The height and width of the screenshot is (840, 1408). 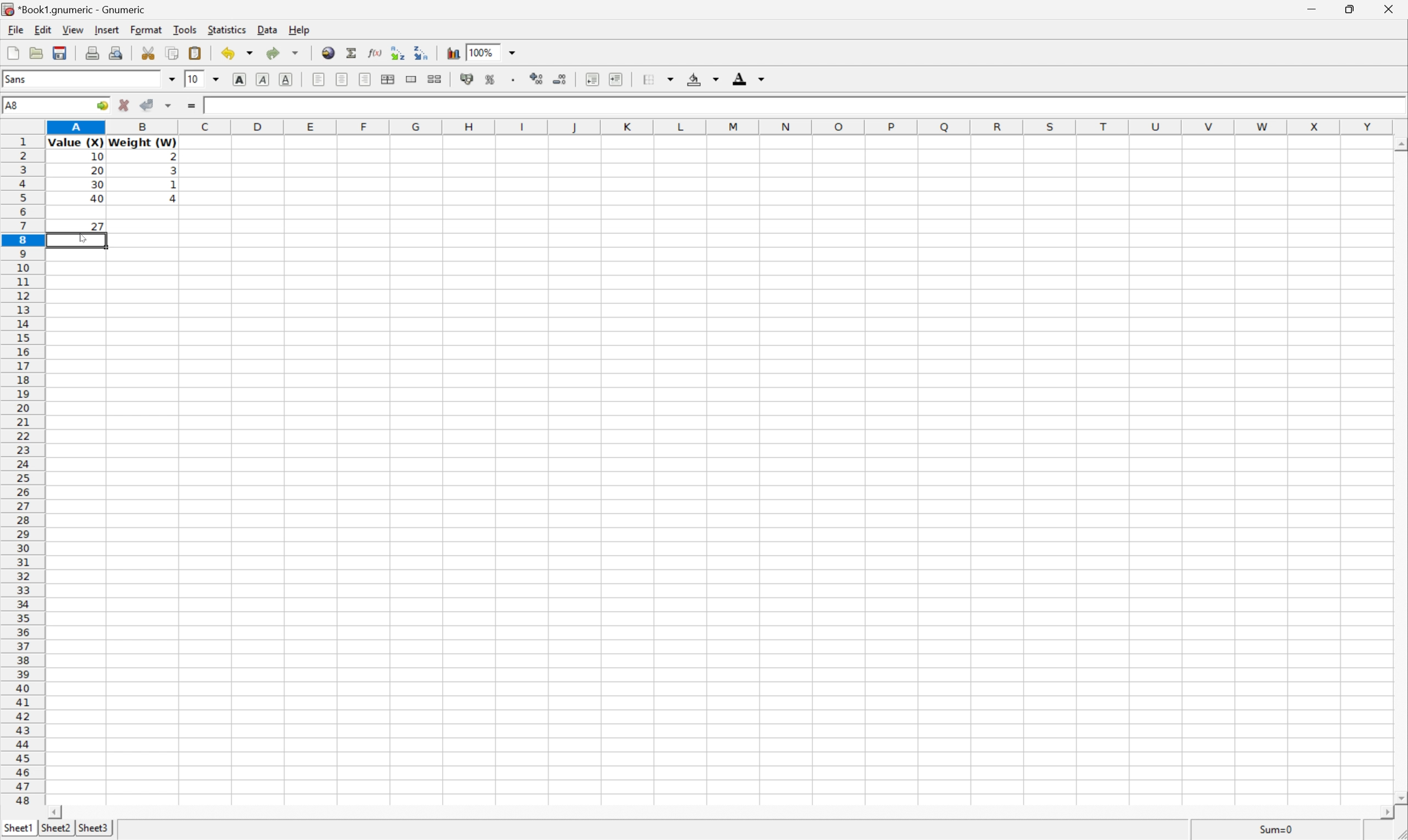 What do you see at coordinates (43, 29) in the screenshot?
I see `Edit` at bounding box center [43, 29].